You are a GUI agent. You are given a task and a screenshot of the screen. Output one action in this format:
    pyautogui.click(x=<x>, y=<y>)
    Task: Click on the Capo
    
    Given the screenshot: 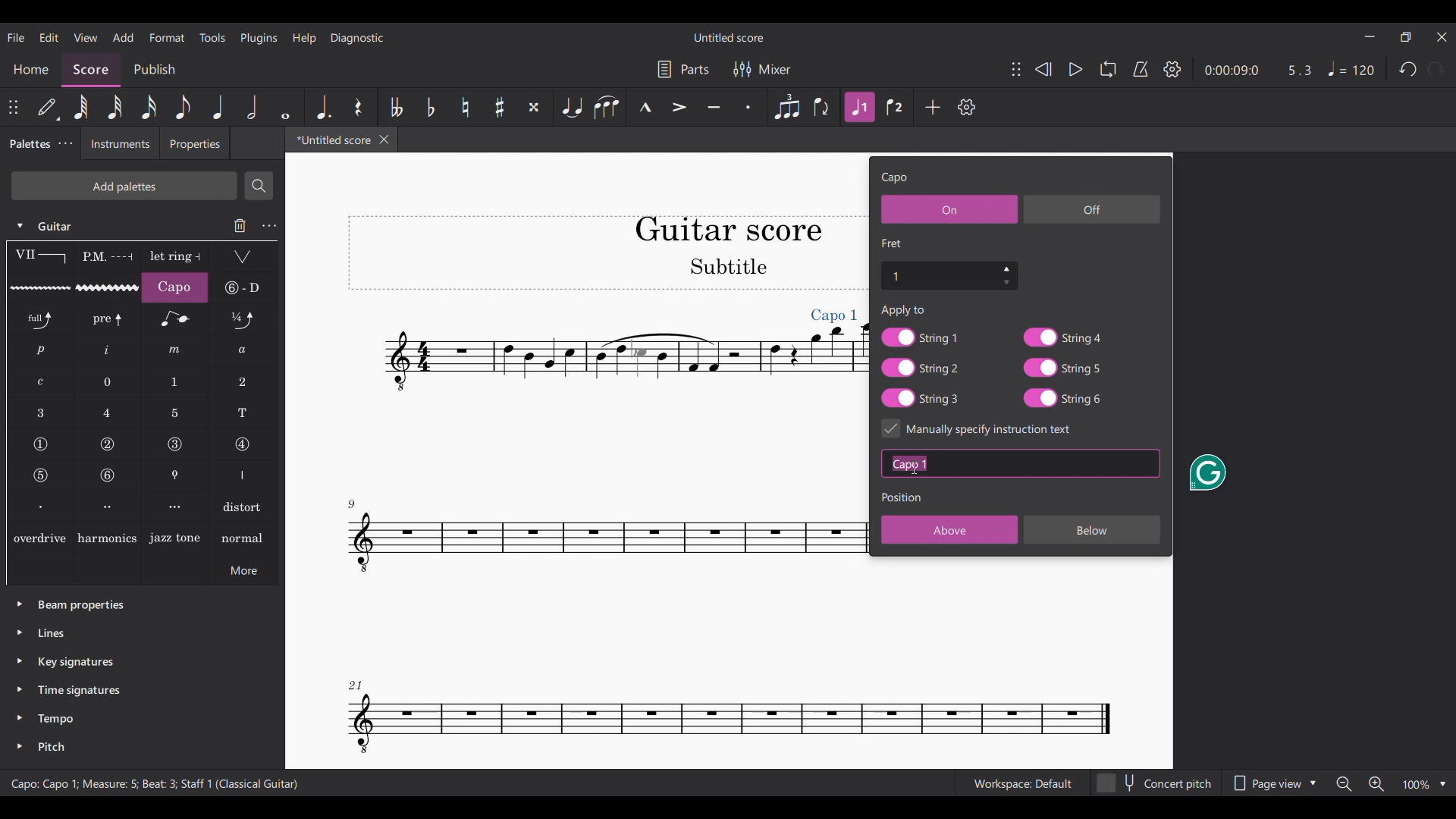 What is the action you would take?
    pyautogui.click(x=174, y=287)
    